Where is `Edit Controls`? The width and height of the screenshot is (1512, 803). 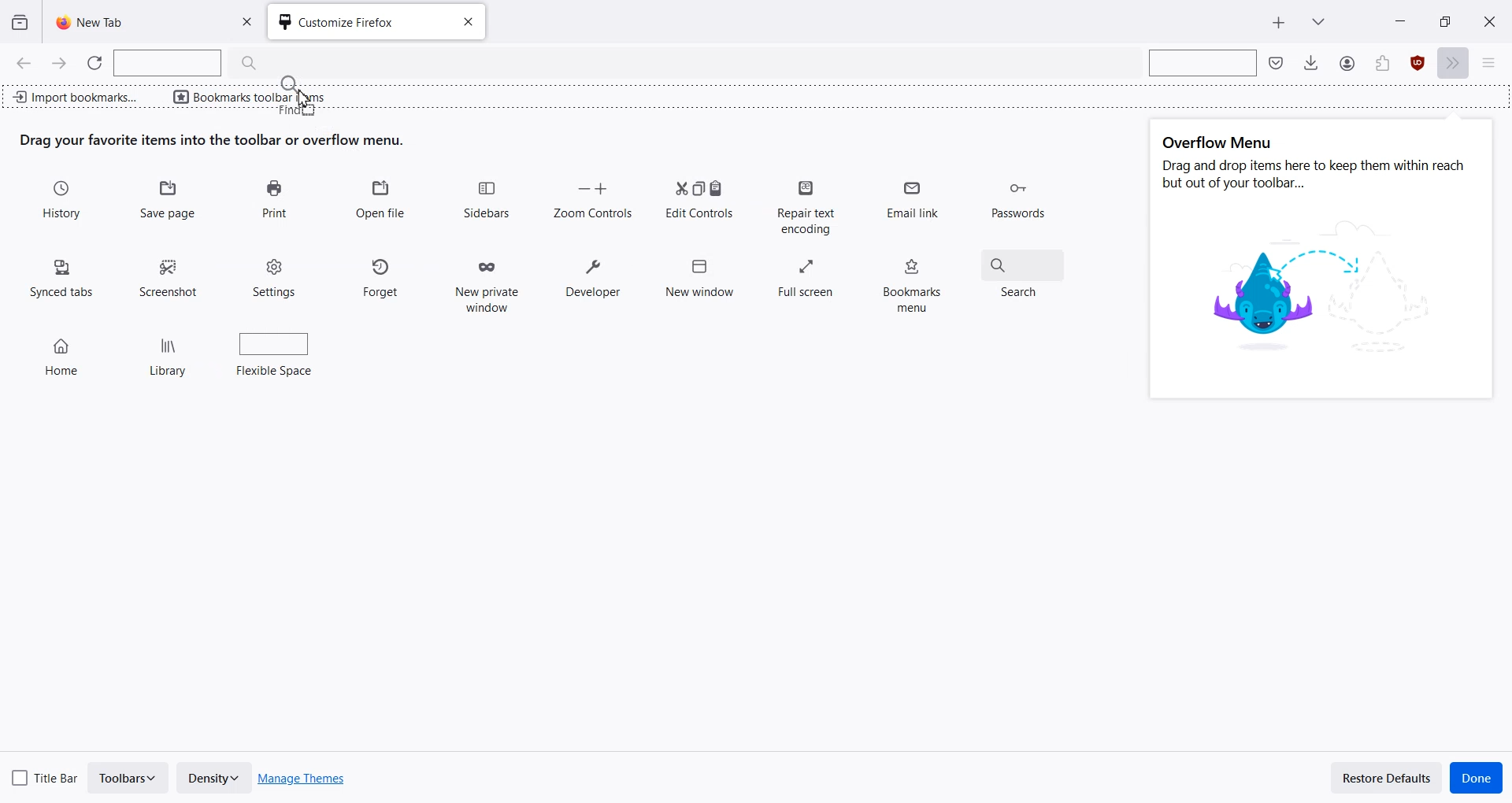 Edit Controls is located at coordinates (699, 198).